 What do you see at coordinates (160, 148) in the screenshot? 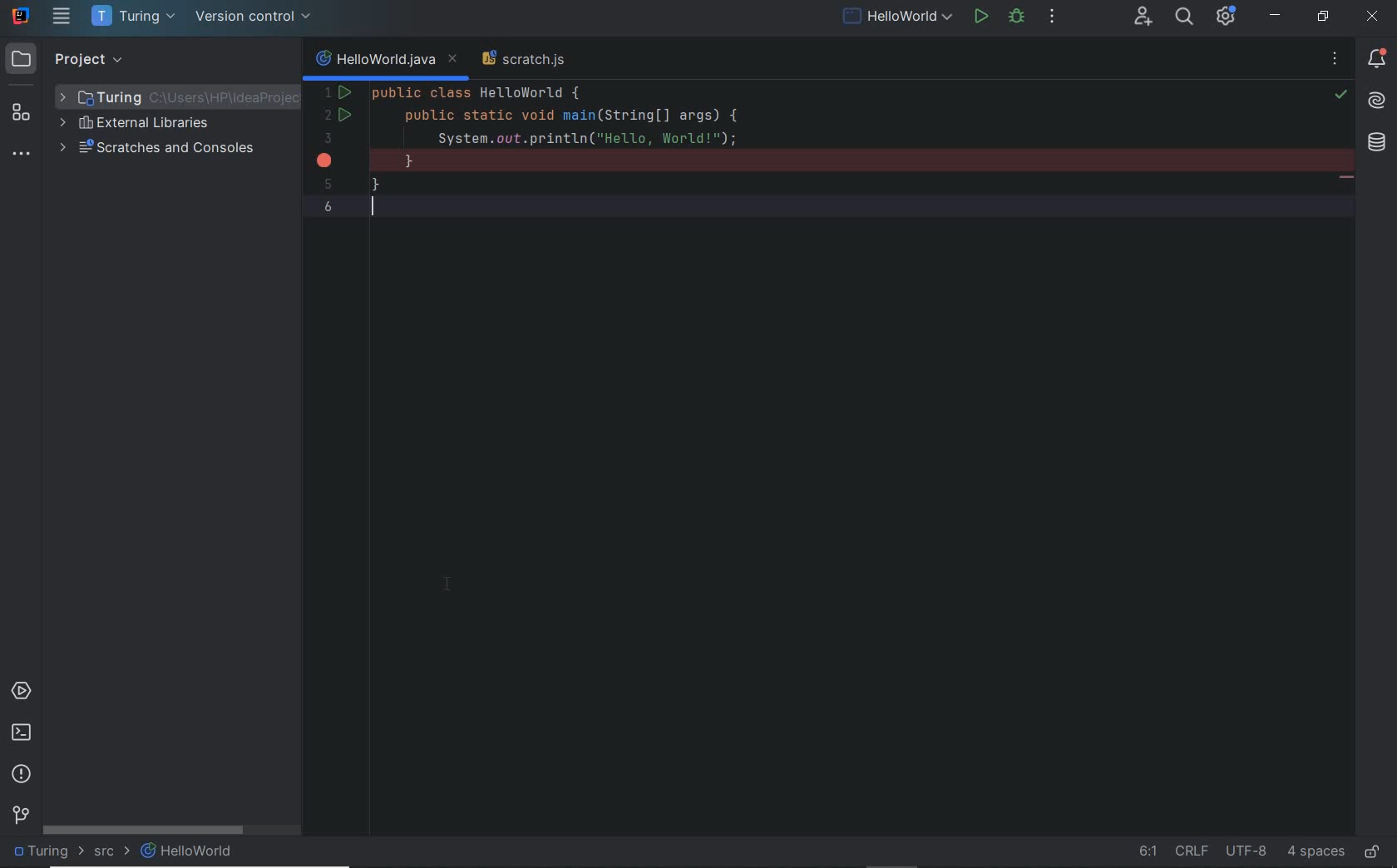
I see `scratches and consoles` at bounding box center [160, 148].